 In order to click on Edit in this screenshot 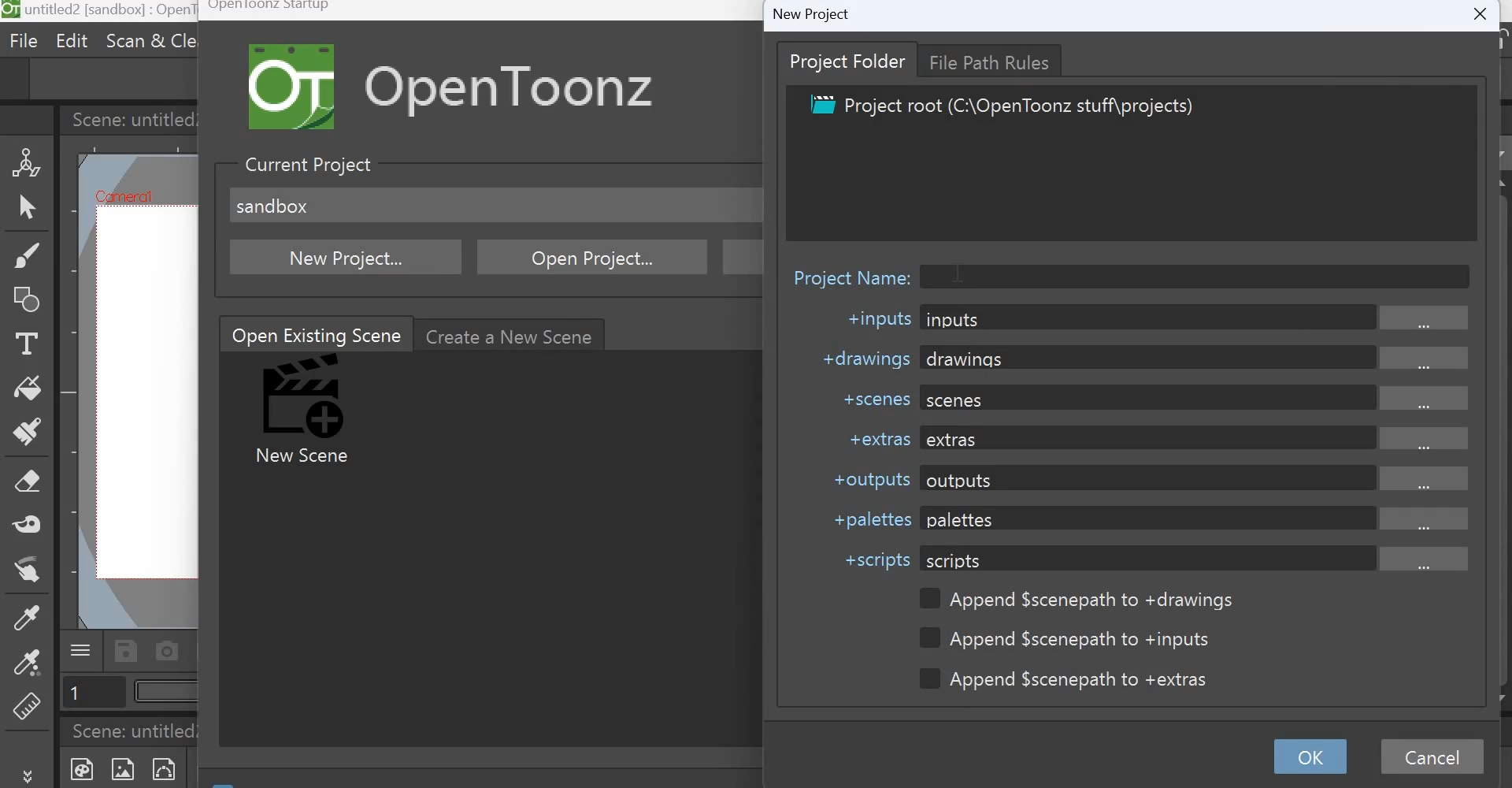, I will do `click(69, 40)`.